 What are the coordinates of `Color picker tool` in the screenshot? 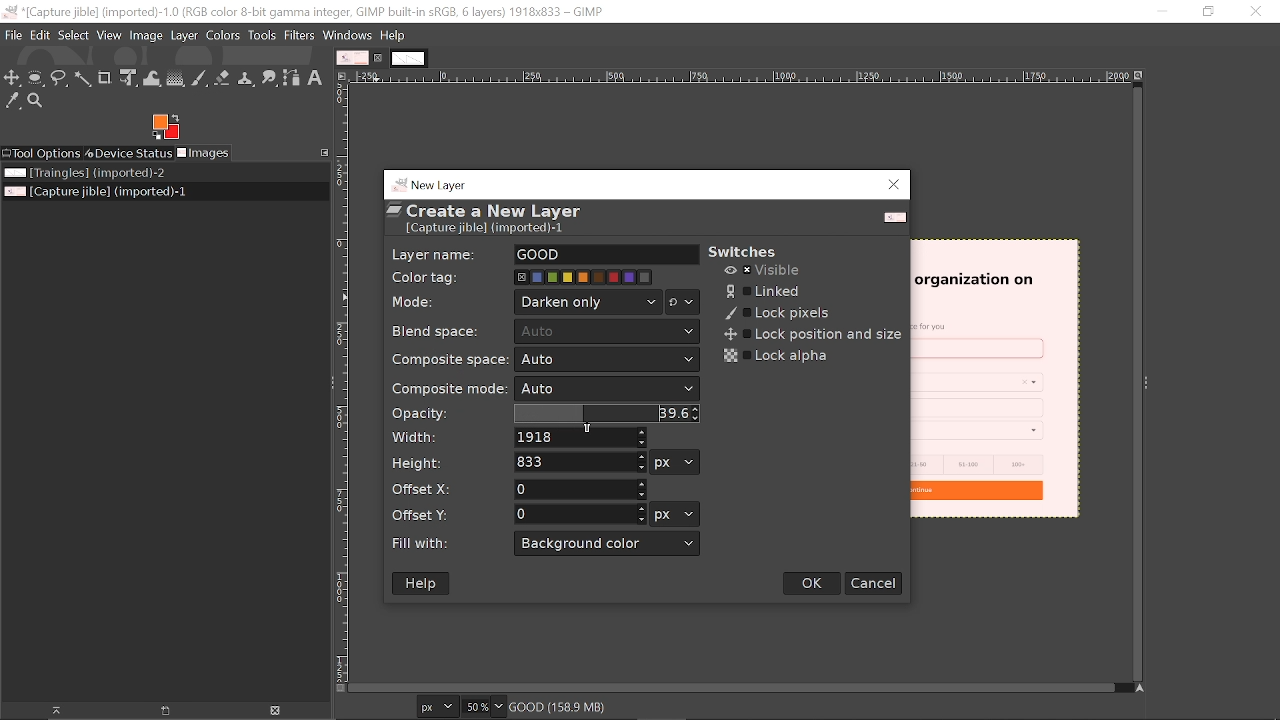 It's located at (11, 101).